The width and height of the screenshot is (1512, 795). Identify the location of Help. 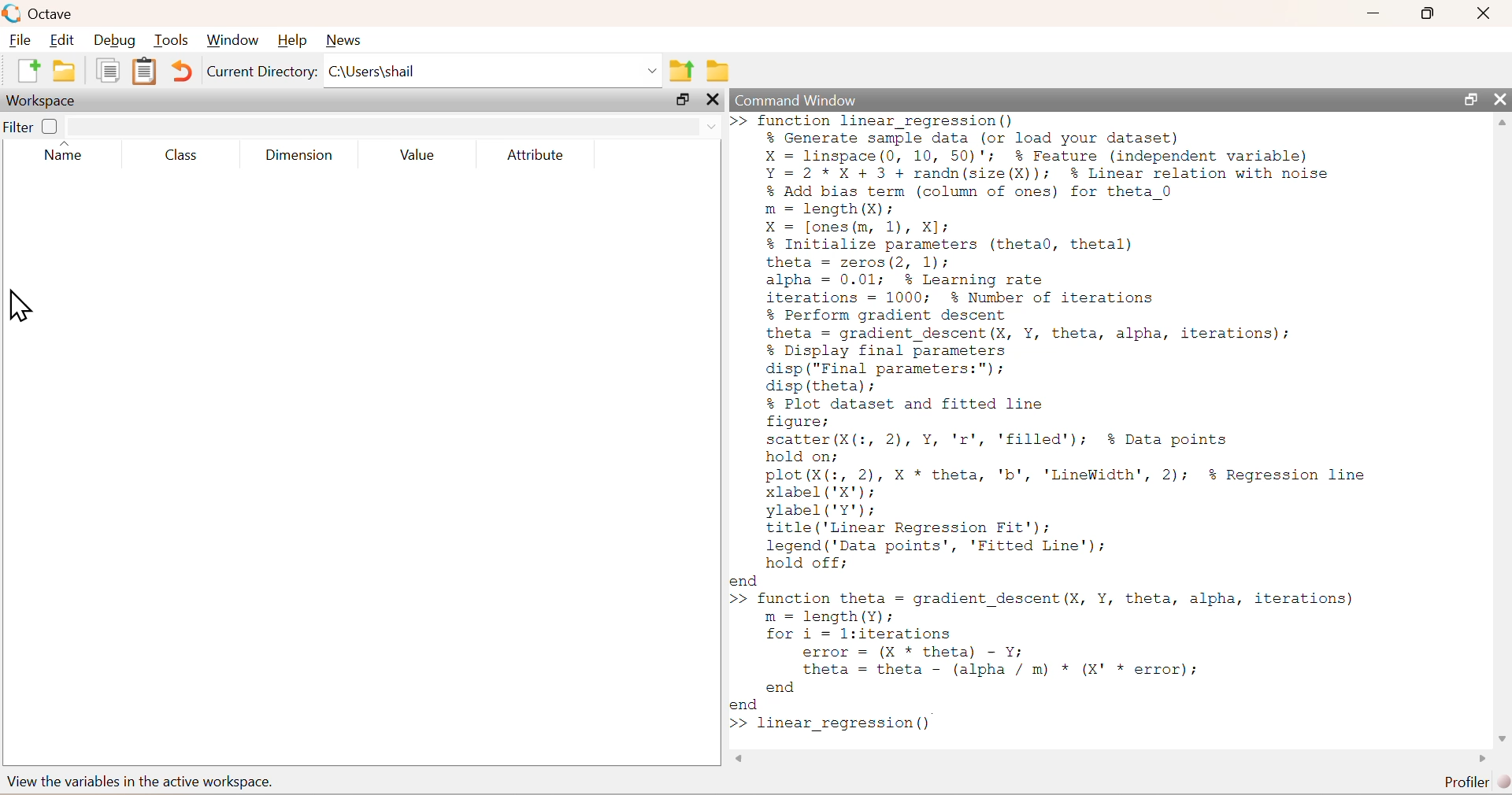
(292, 39).